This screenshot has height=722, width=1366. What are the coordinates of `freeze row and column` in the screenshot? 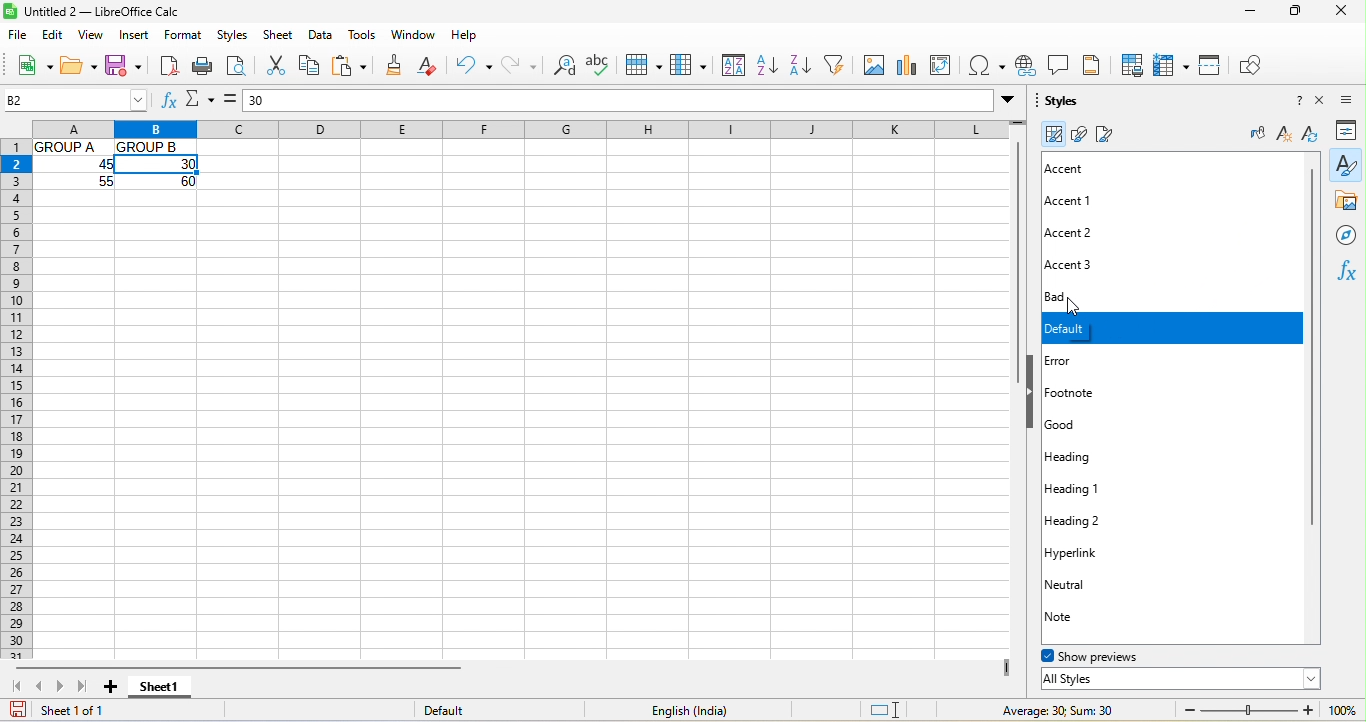 It's located at (1171, 67).